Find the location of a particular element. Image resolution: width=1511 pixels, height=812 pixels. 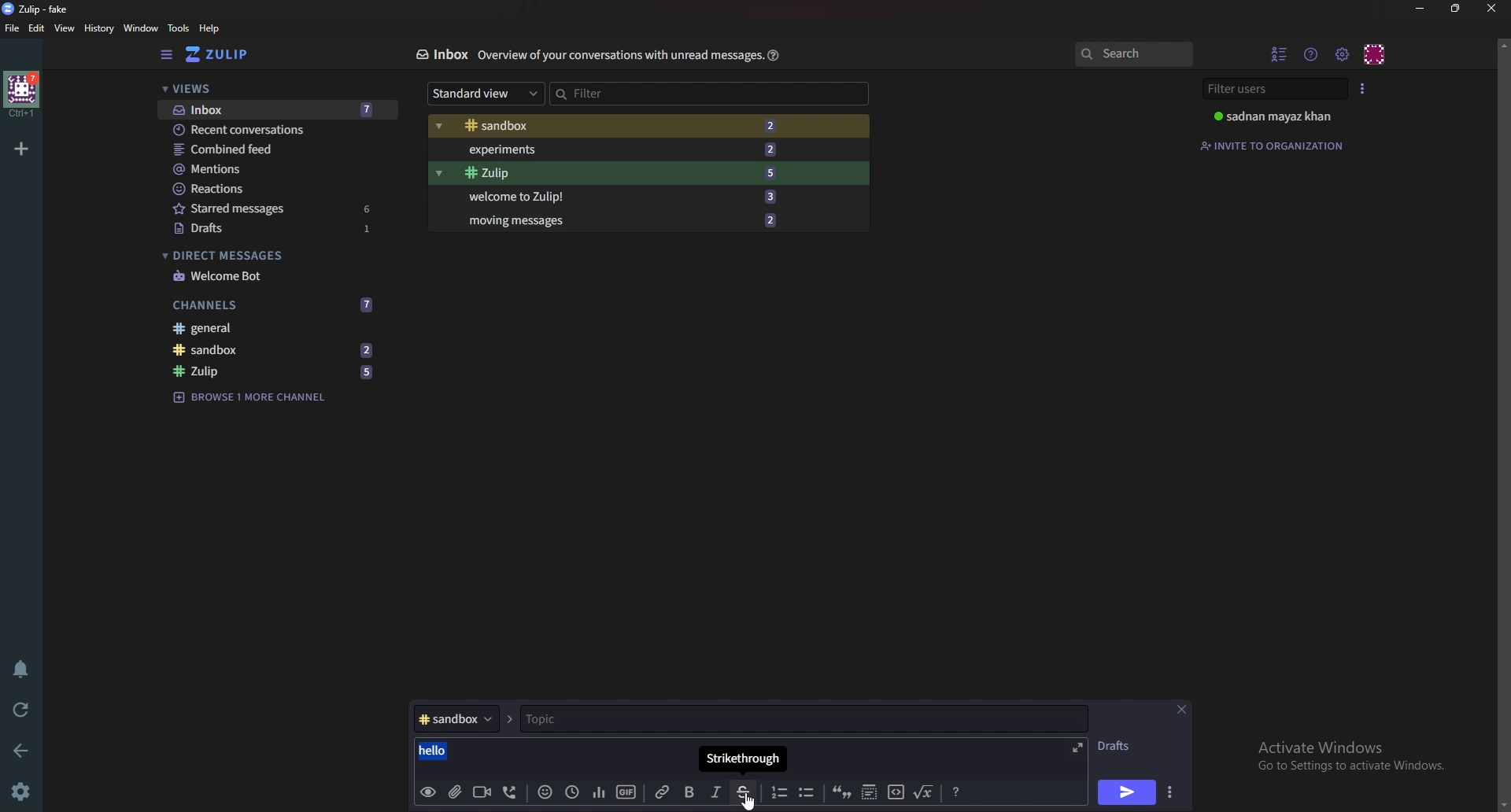

Personal menu is located at coordinates (1375, 54).